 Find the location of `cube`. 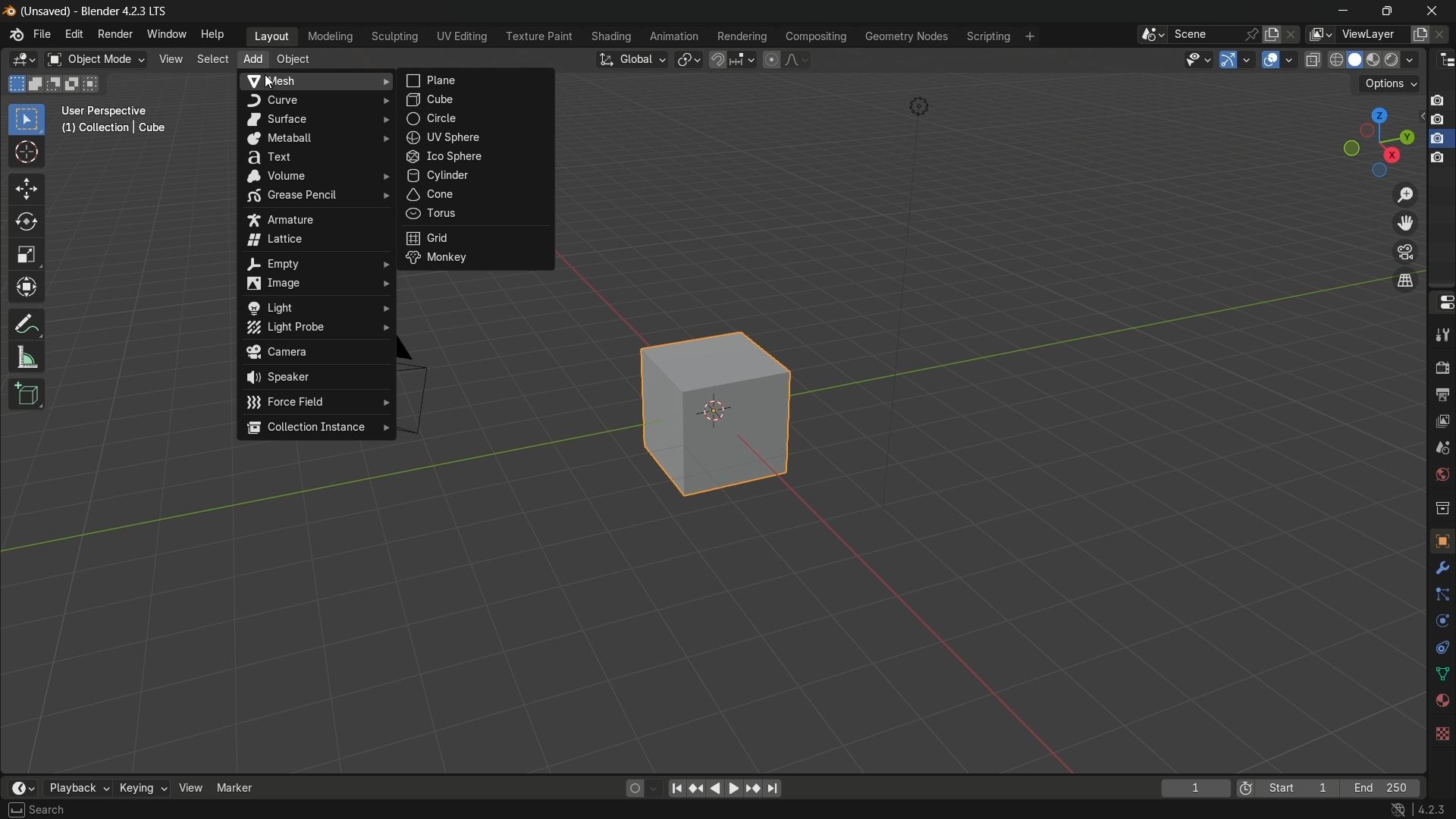

cube is located at coordinates (720, 409).